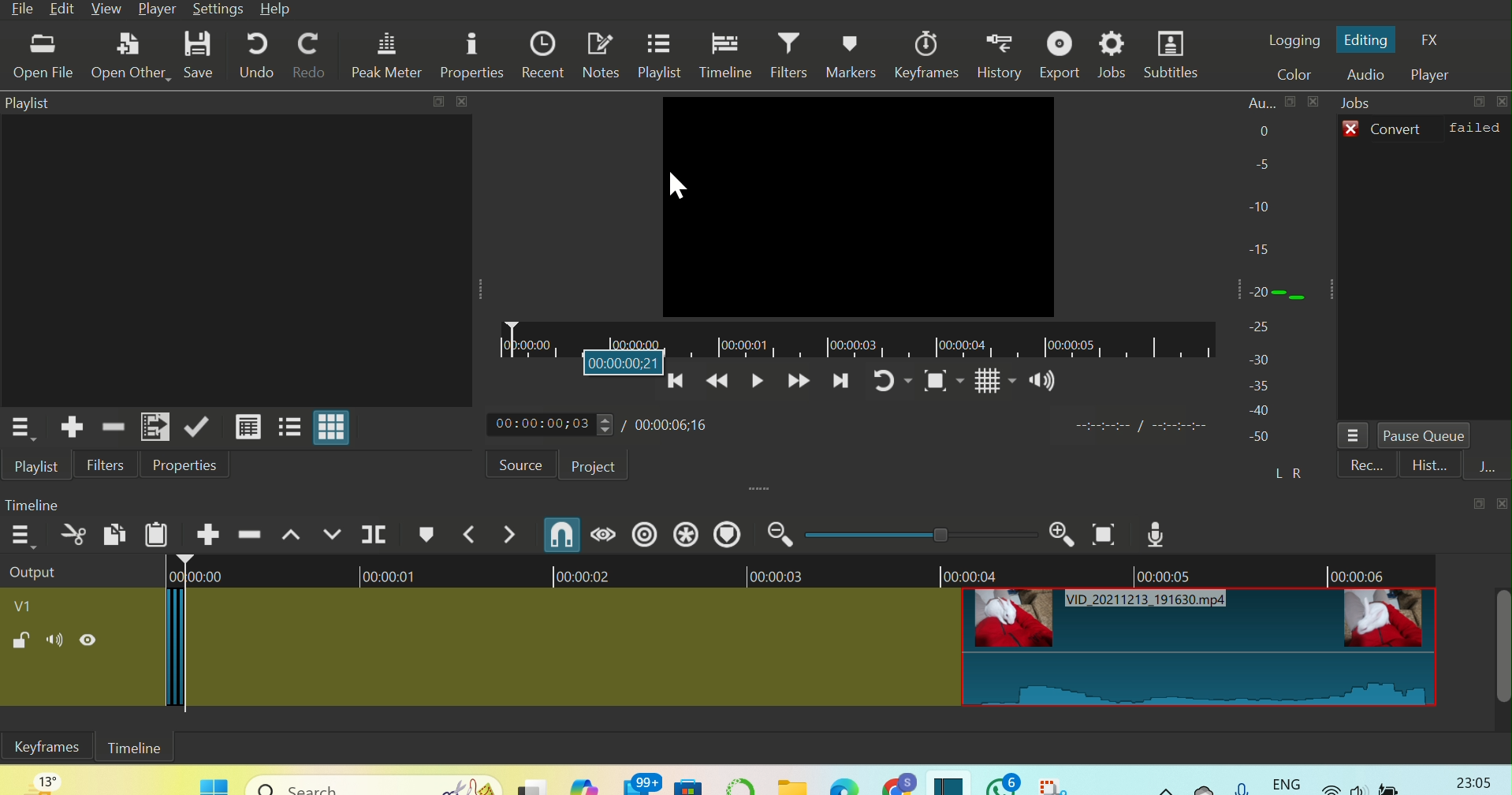  Describe the element at coordinates (1294, 42) in the screenshot. I see `Logging` at that location.